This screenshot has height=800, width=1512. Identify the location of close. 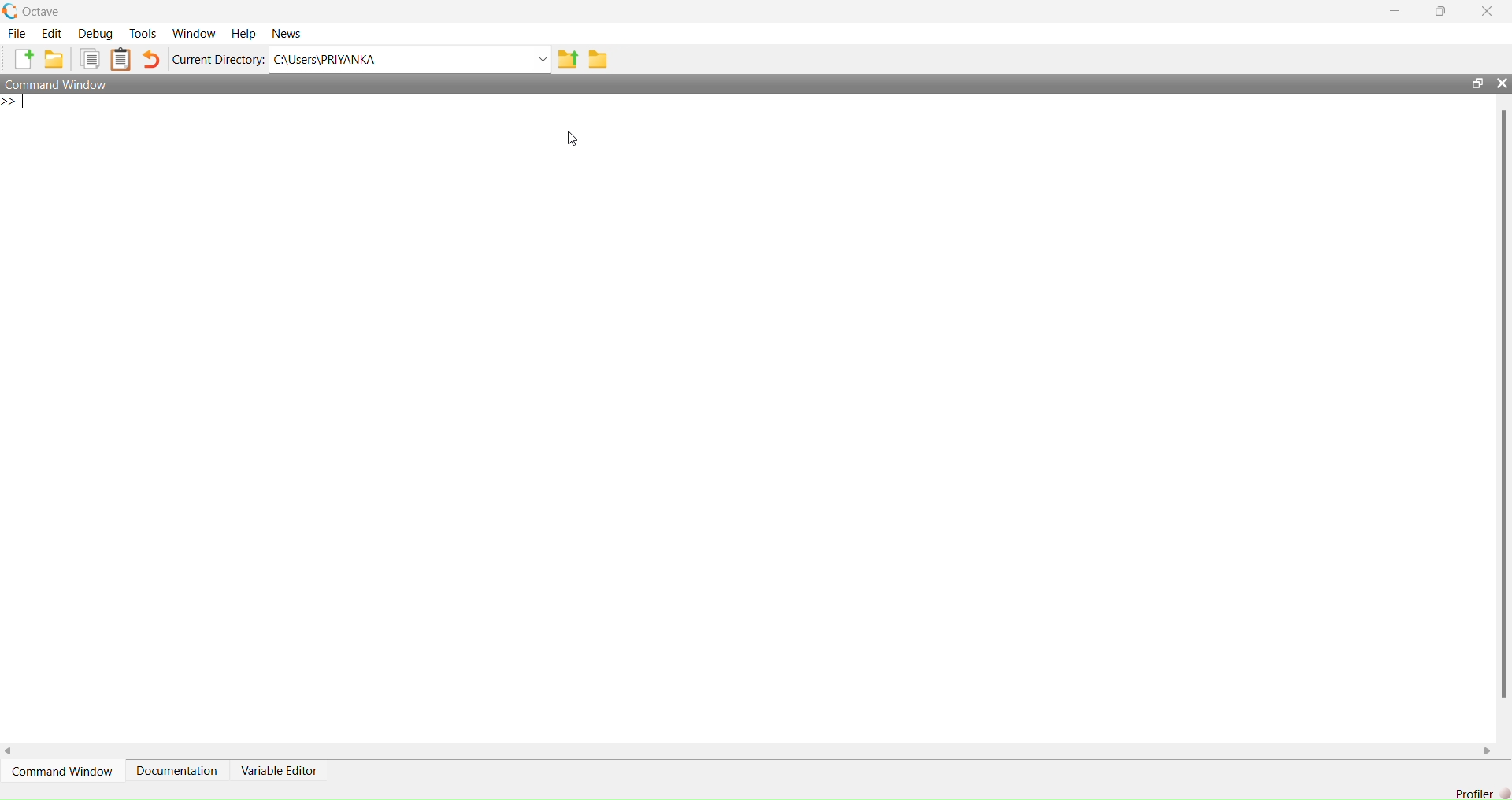
(1503, 83).